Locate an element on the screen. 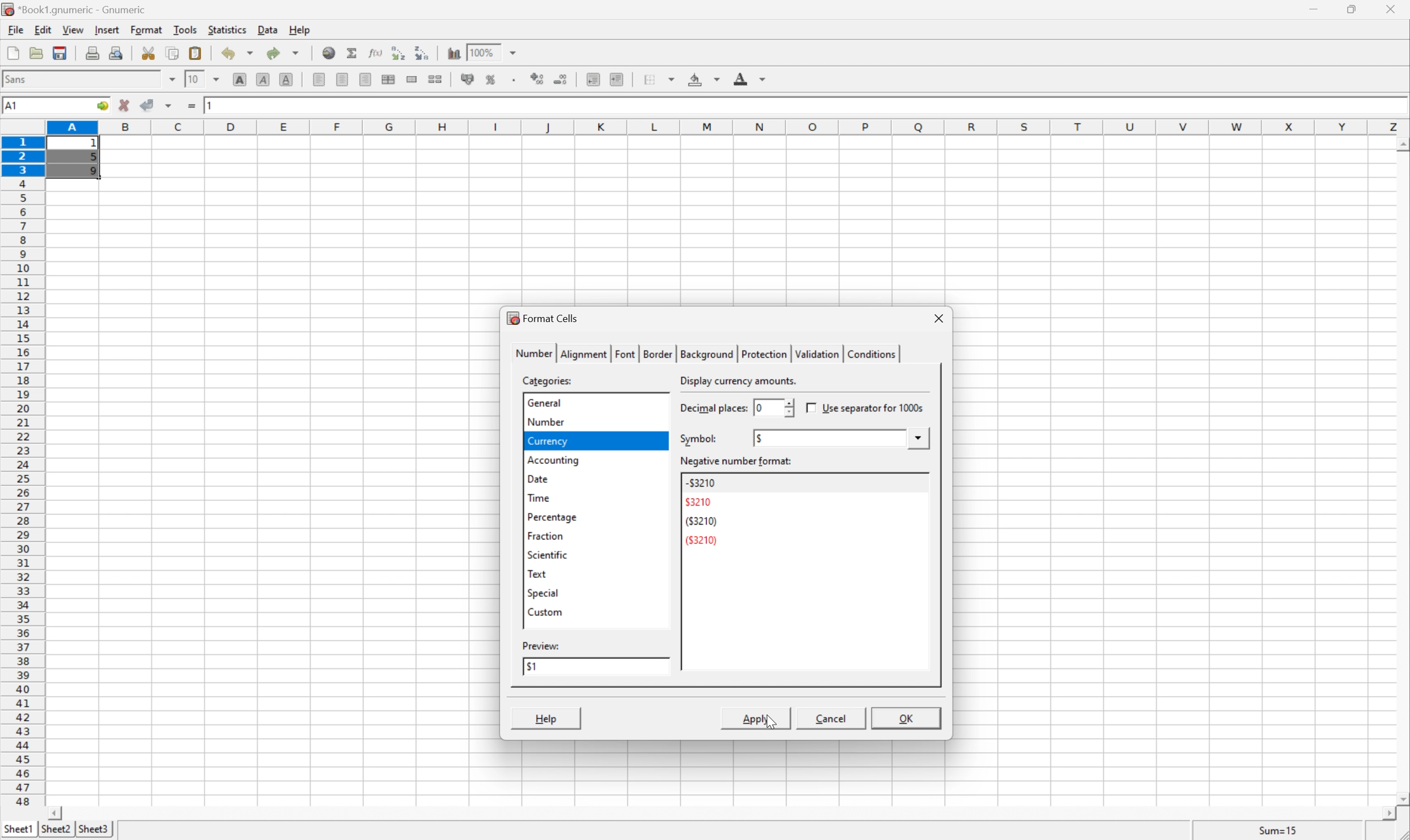  cut is located at coordinates (148, 52).